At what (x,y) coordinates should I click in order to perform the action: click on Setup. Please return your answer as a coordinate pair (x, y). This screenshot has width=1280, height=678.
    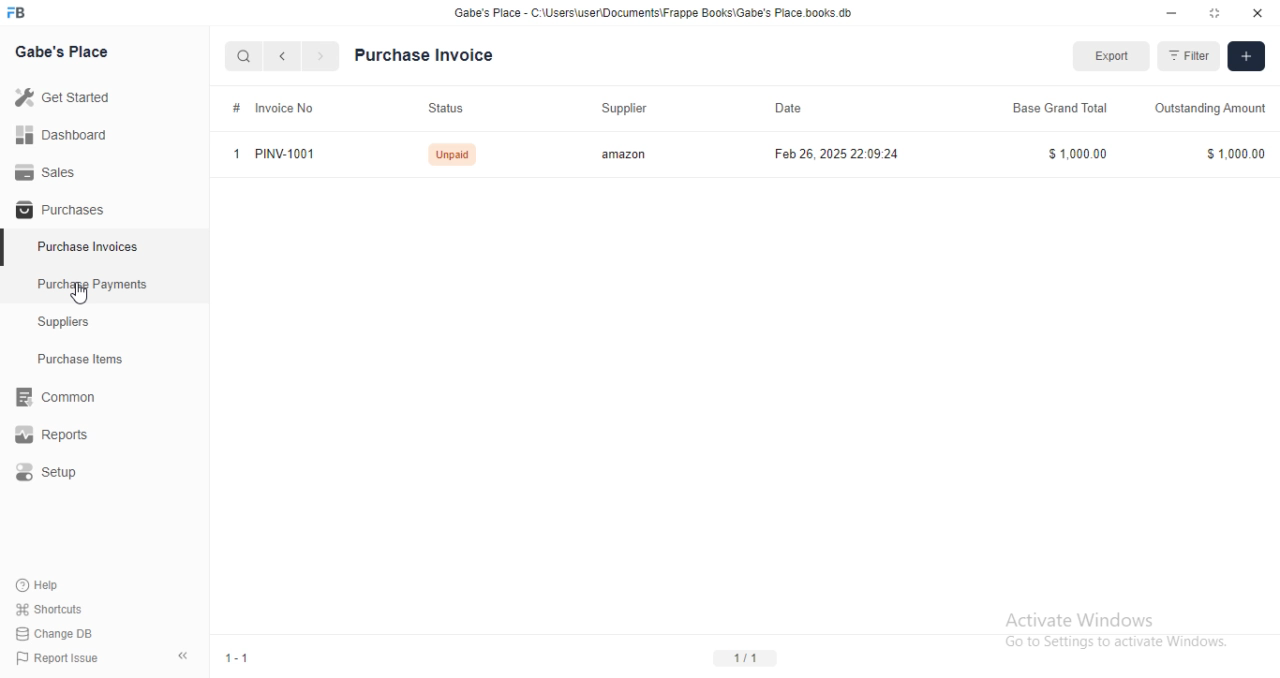
    Looking at the image, I should click on (60, 473).